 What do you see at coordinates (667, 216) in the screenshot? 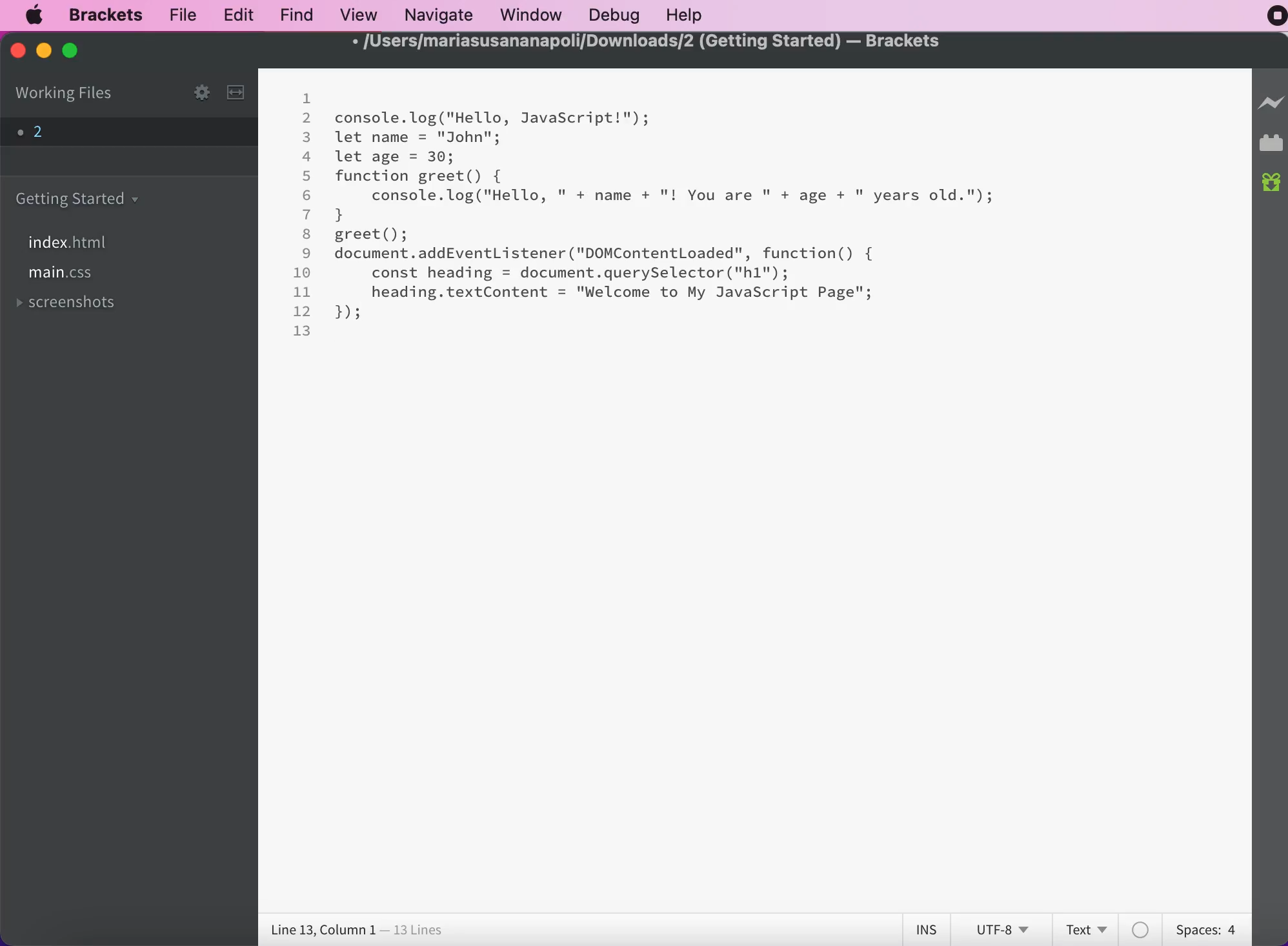
I see `console. log("Hello, JavaScript!");let name = "John";let age = 30;function greet() {console.log("Hello, " + name + "! You are " + age + " years old.");}greet();document.addEventListener ("DOMContentLoaded", function() {const heading = document.querySelector("h1");heading.textContent = "Welcome to My JavaScript Page"; });` at bounding box center [667, 216].